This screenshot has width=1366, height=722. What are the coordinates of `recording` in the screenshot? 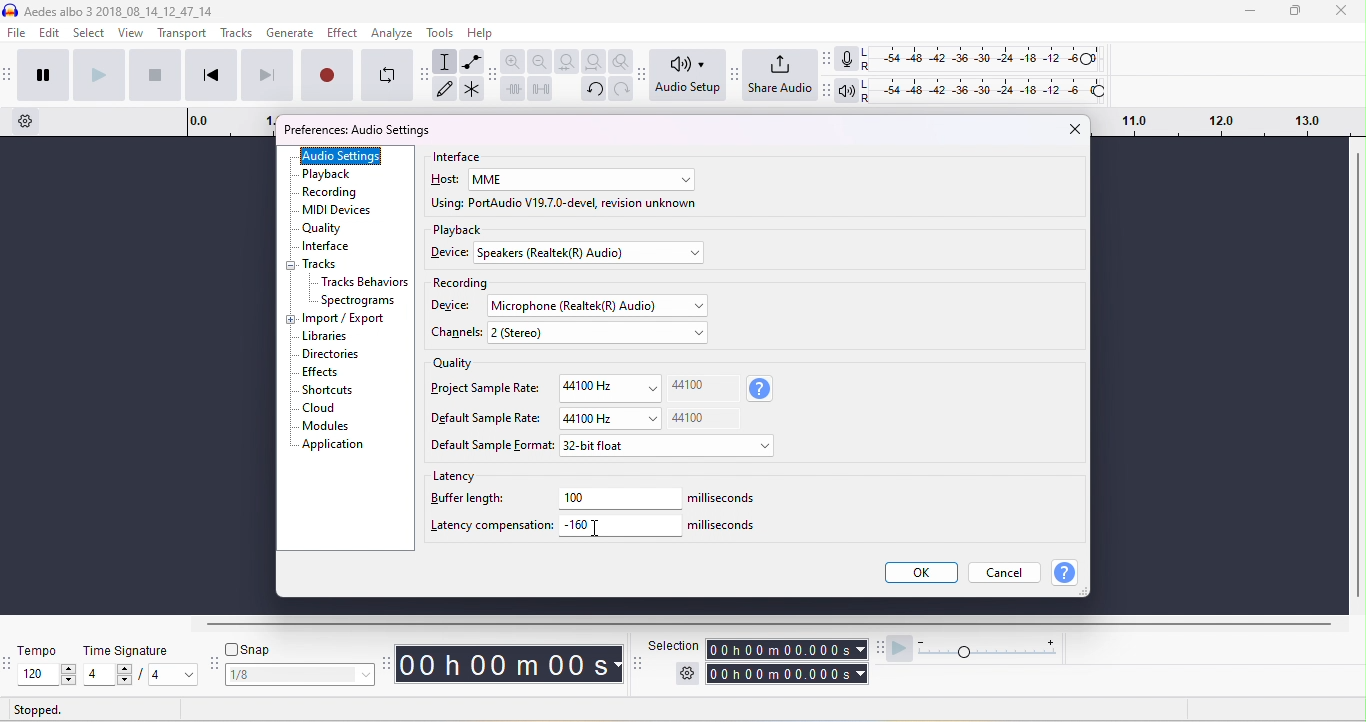 It's located at (332, 191).